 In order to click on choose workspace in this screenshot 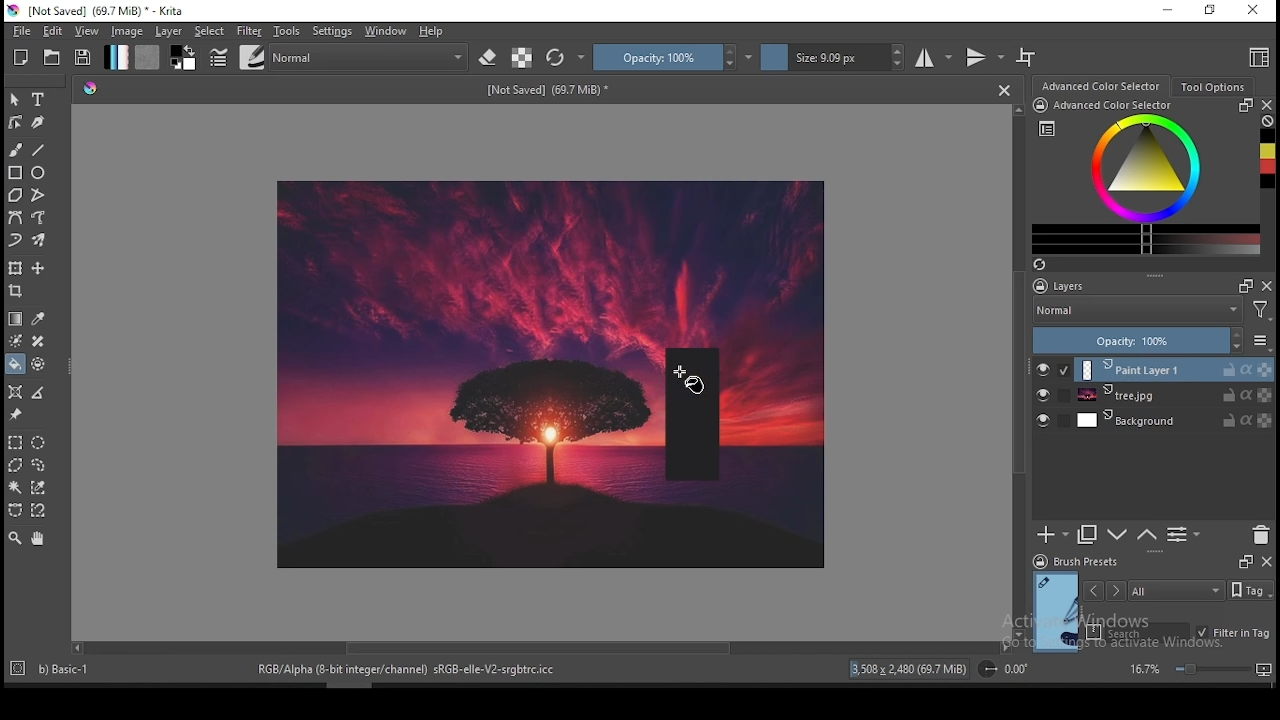, I will do `click(1257, 59)`.